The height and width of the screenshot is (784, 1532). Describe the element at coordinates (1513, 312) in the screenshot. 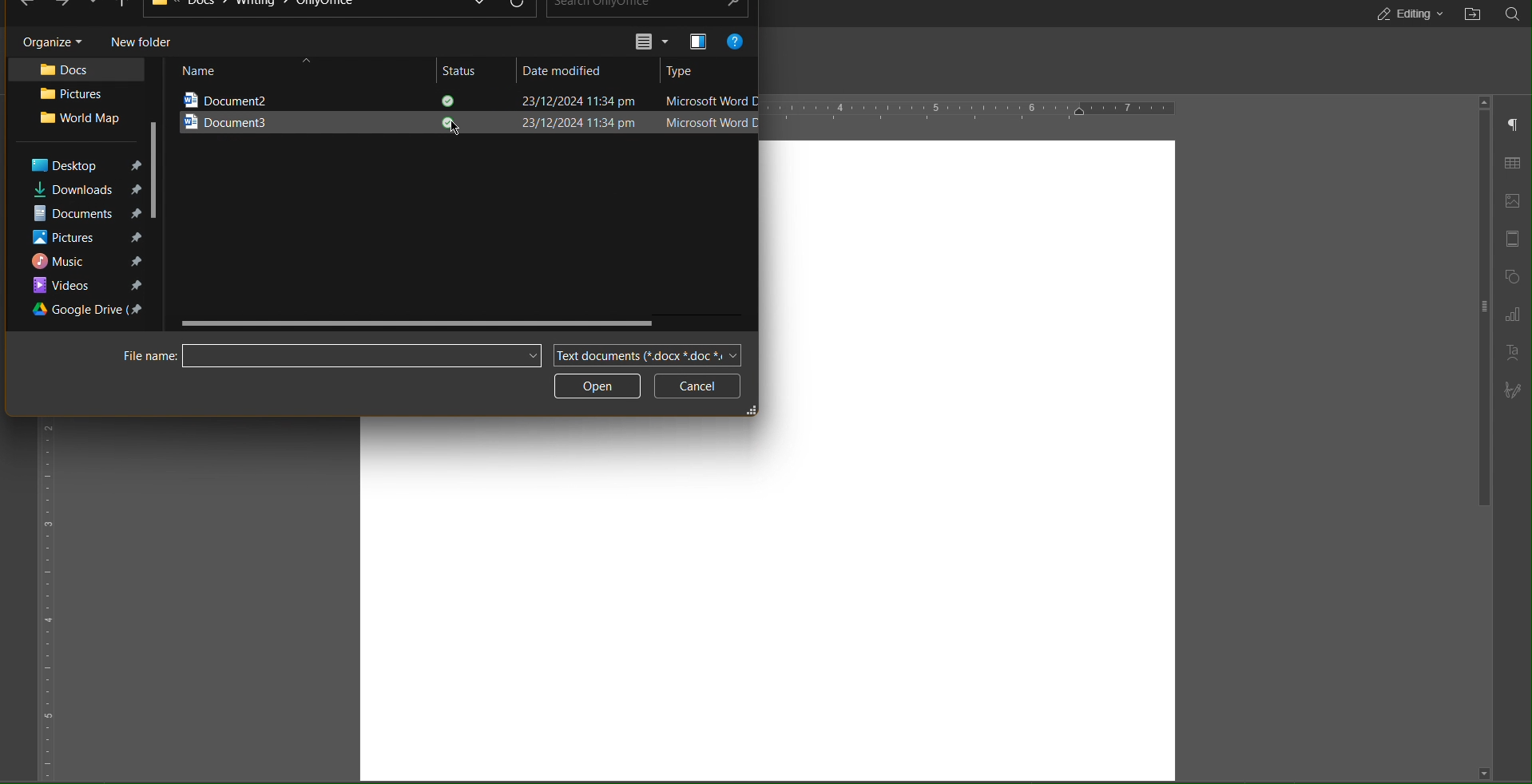

I see `Graph Settings` at that location.